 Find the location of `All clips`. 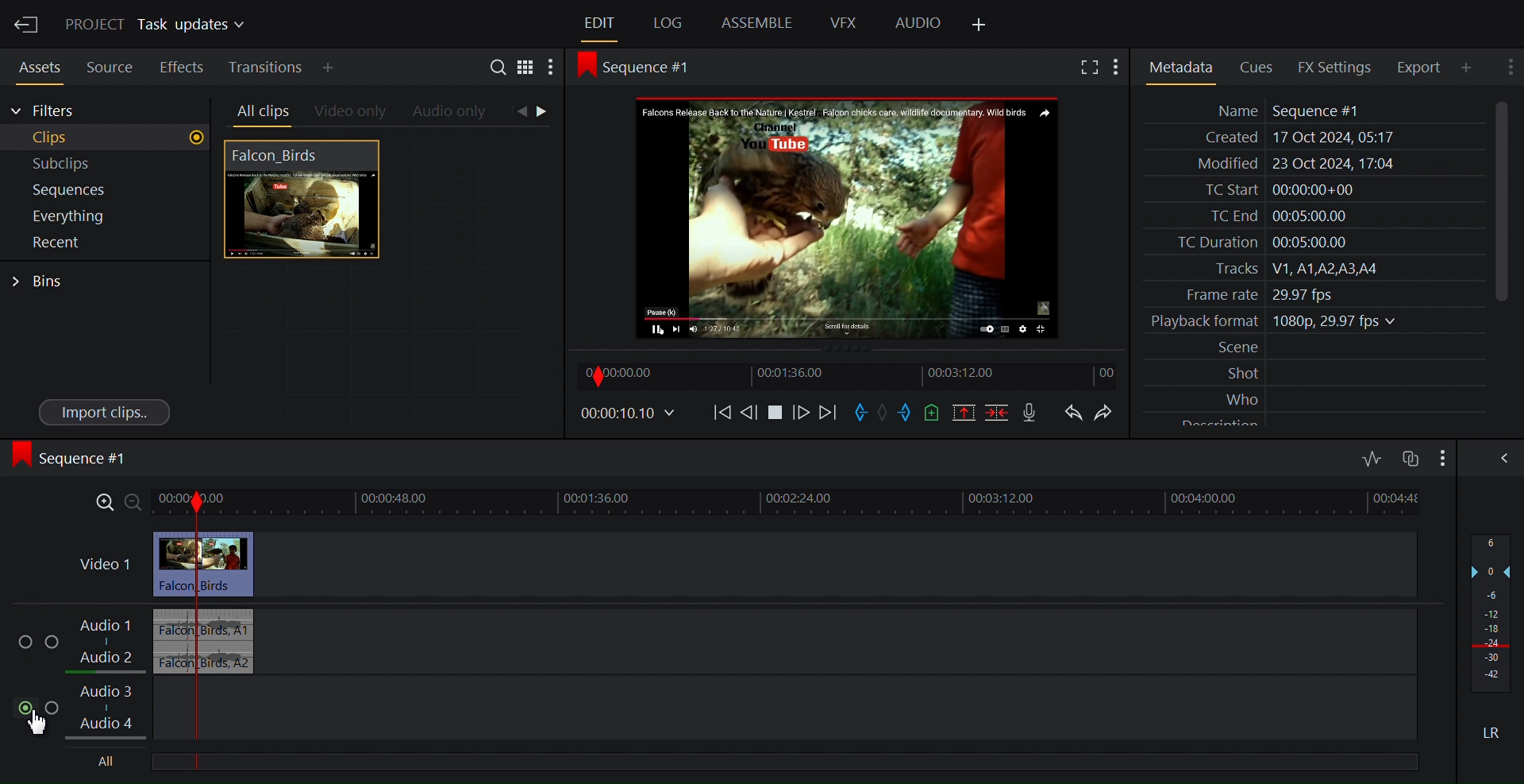

All clips is located at coordinates (260, 112).